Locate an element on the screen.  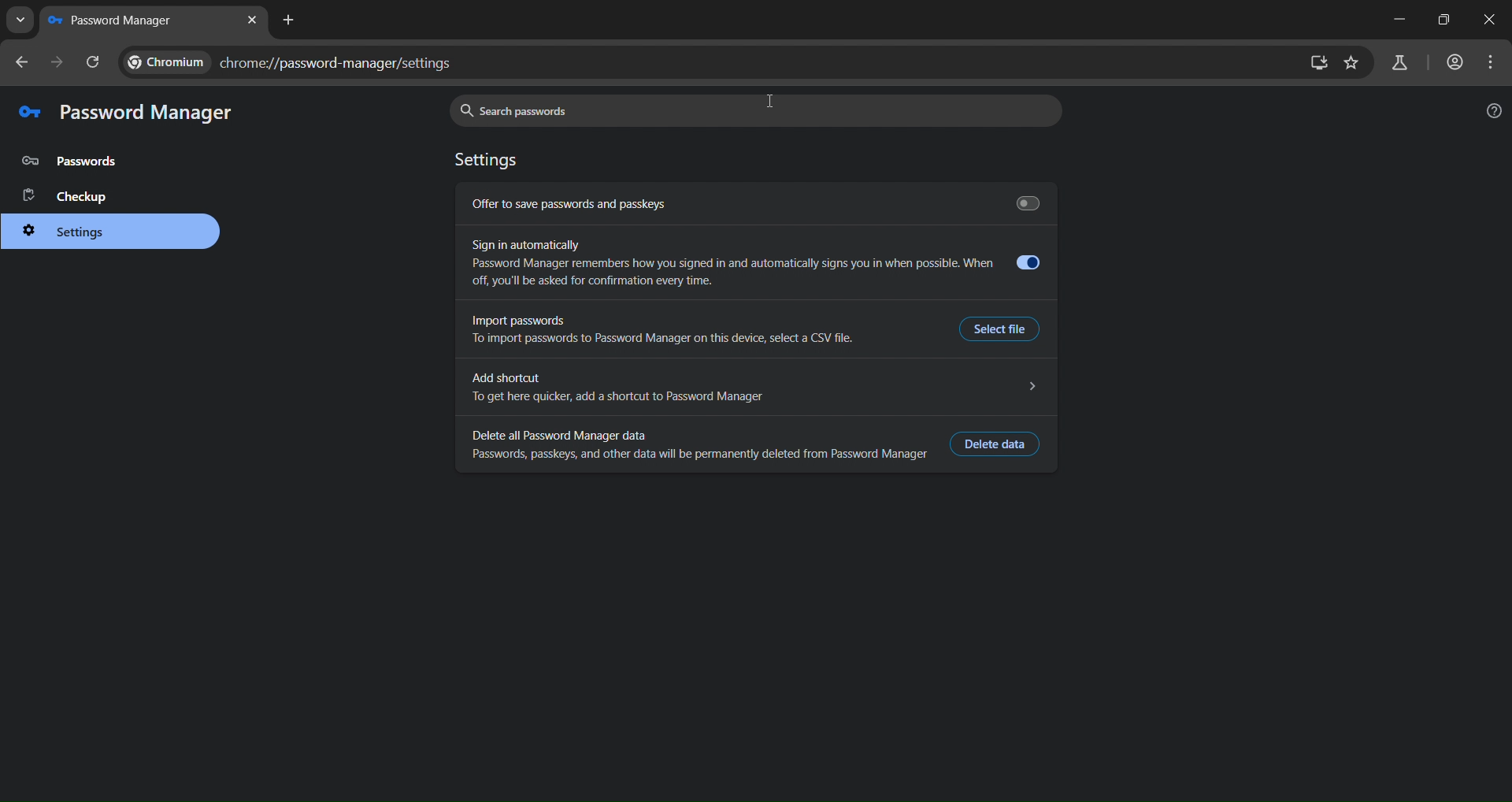
settings is located at coordinates (72, 232).